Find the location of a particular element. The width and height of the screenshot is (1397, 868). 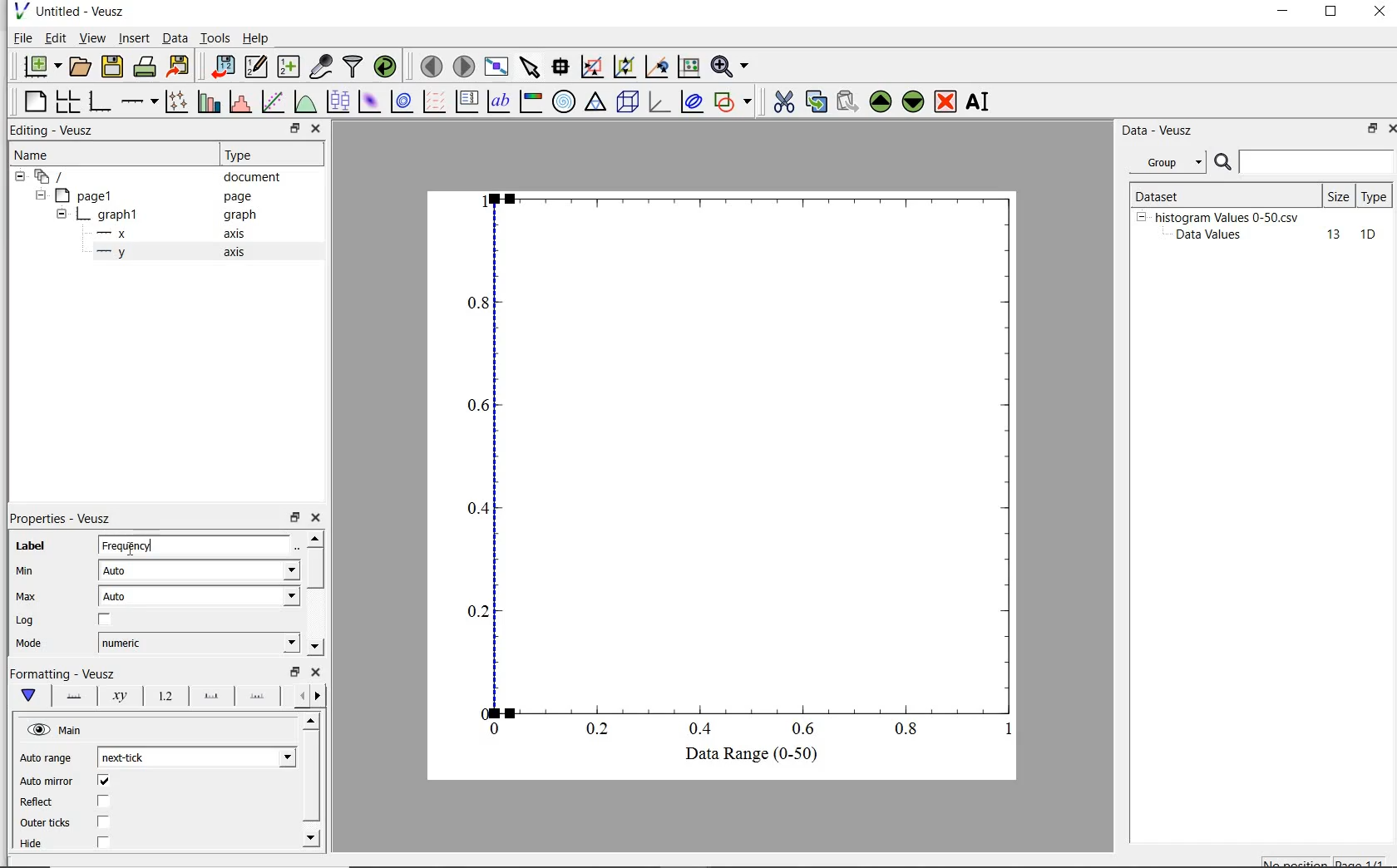

histogram of a dataset is located at coordinates (239, 102).